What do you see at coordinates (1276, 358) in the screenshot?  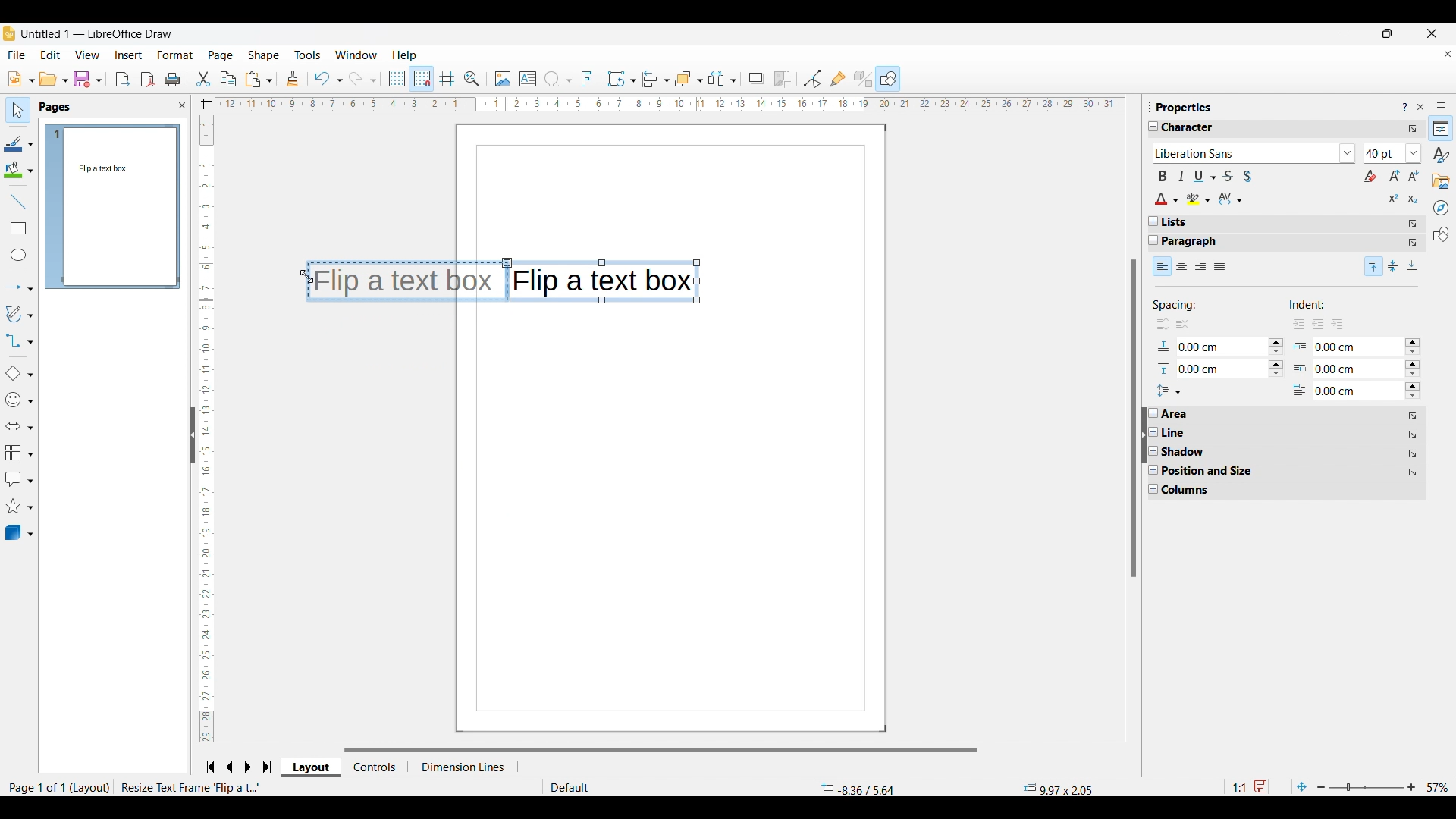 I see `Change respective spacing attribute` at bounding box center [1276, 358].